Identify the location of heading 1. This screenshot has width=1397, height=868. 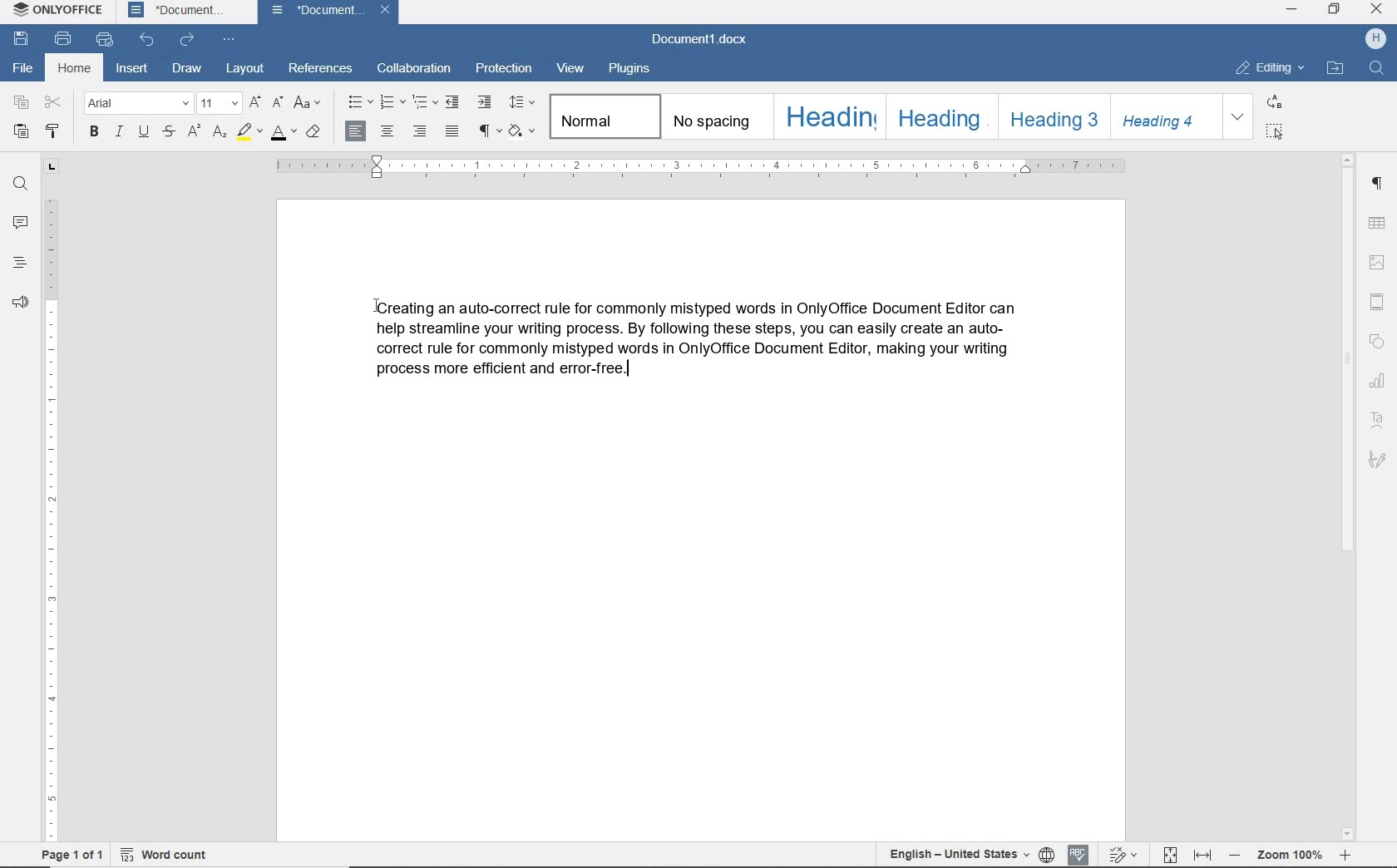
(825, 118).